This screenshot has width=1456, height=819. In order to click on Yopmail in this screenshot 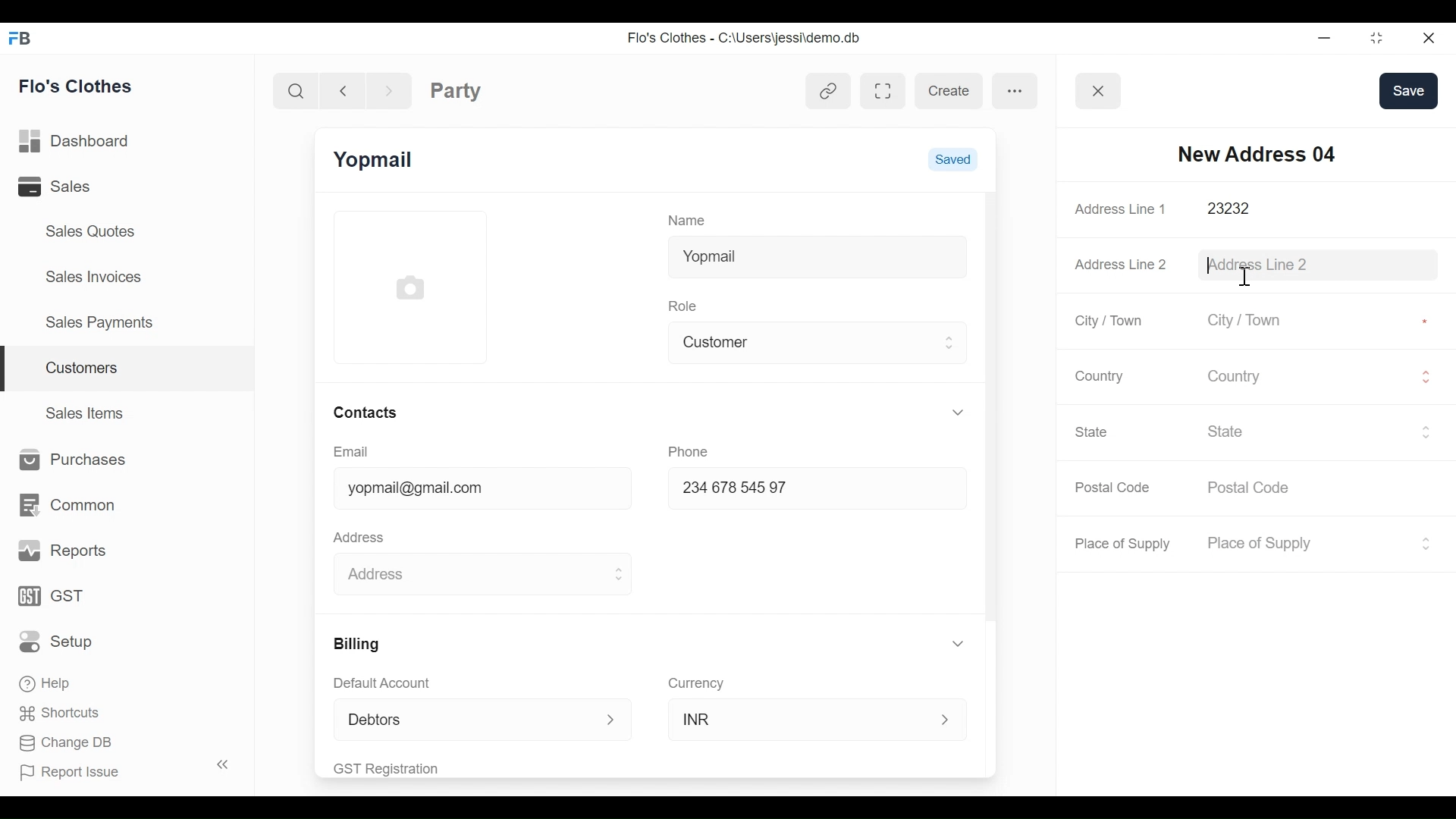, I will do `click(375, 160)`.